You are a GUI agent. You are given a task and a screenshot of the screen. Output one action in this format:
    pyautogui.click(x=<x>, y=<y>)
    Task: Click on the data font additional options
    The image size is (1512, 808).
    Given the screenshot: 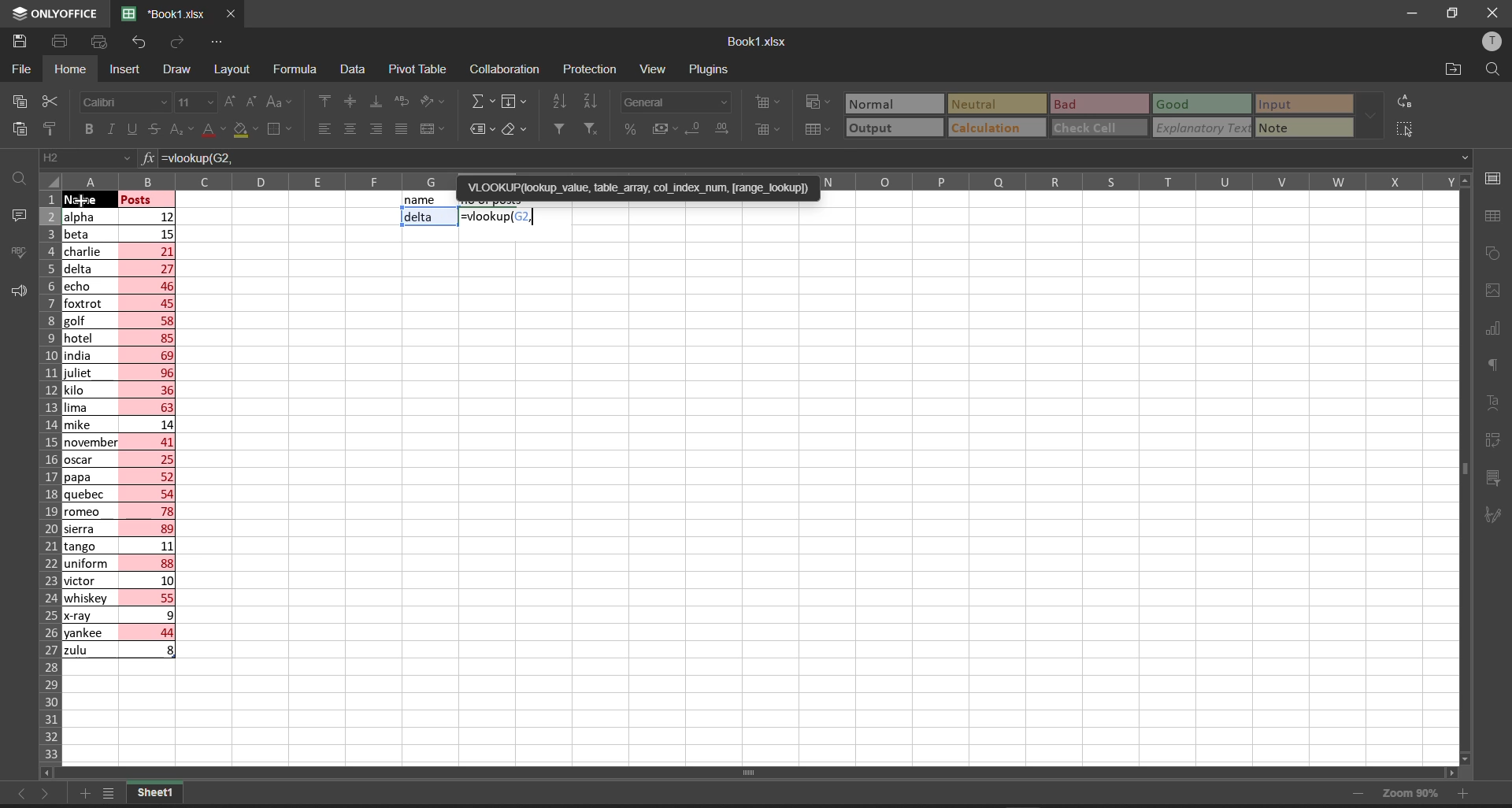 What is the action you would take?
    pyautogui.click(x=1369, y=112)
    